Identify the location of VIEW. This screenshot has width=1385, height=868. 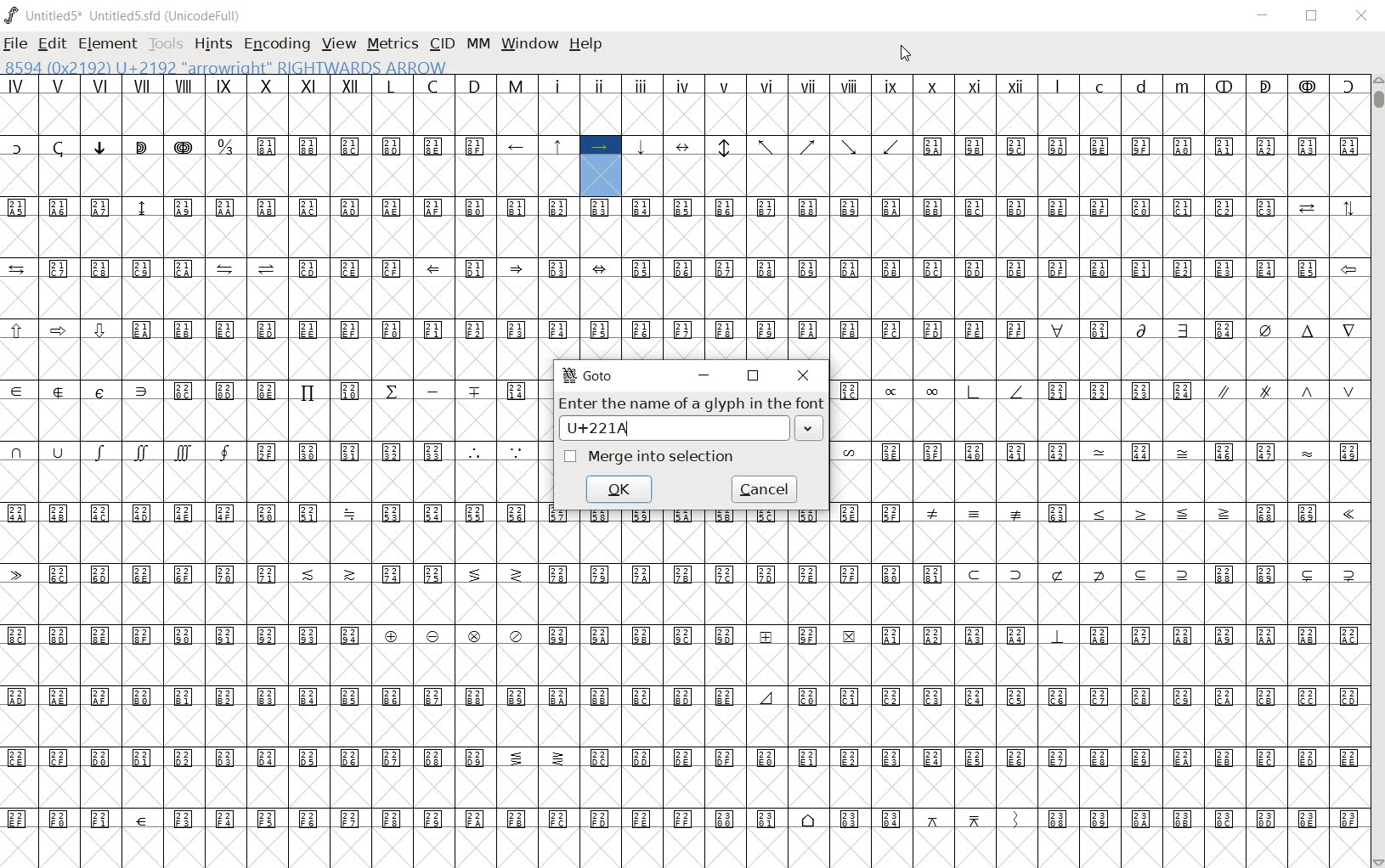
(337, 44).